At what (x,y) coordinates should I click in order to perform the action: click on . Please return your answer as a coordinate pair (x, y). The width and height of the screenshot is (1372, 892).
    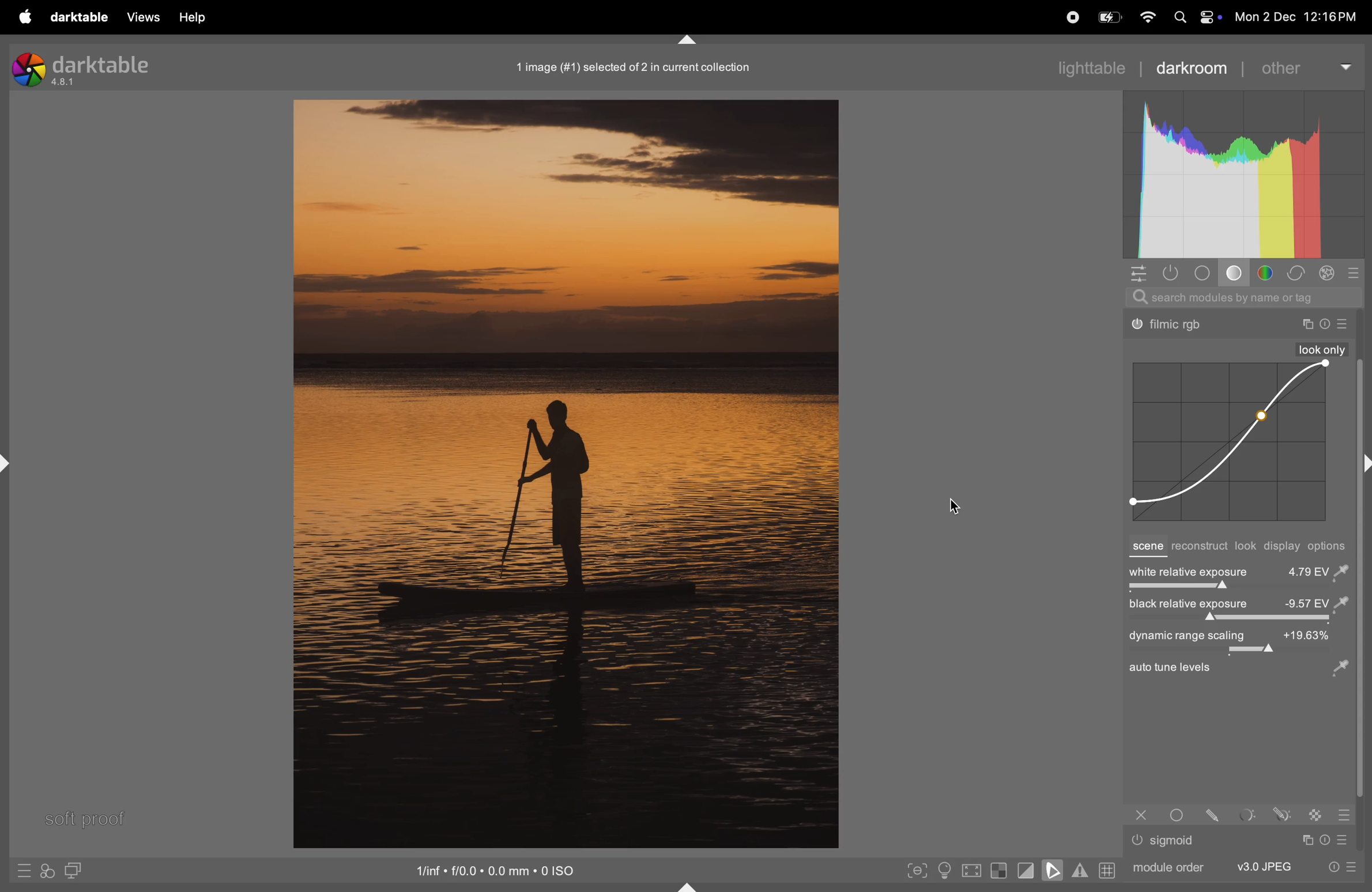
    Looking at the image, I should click on (1345, 324).